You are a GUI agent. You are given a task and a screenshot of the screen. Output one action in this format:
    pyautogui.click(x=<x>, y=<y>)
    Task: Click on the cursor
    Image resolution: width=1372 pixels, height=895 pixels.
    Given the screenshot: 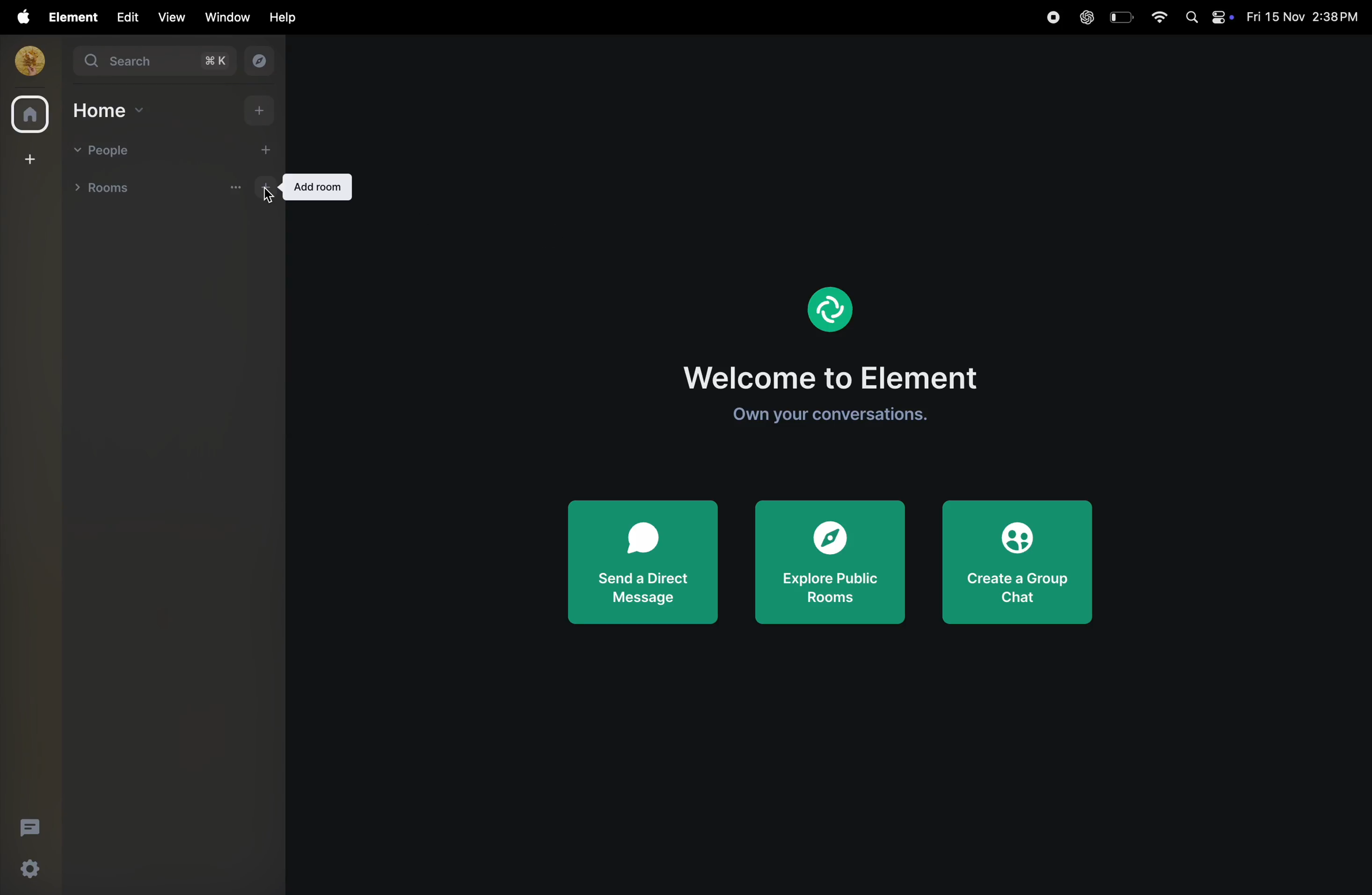 What is the action you would take?
    pyautogui.click(x=269, y=201)
    